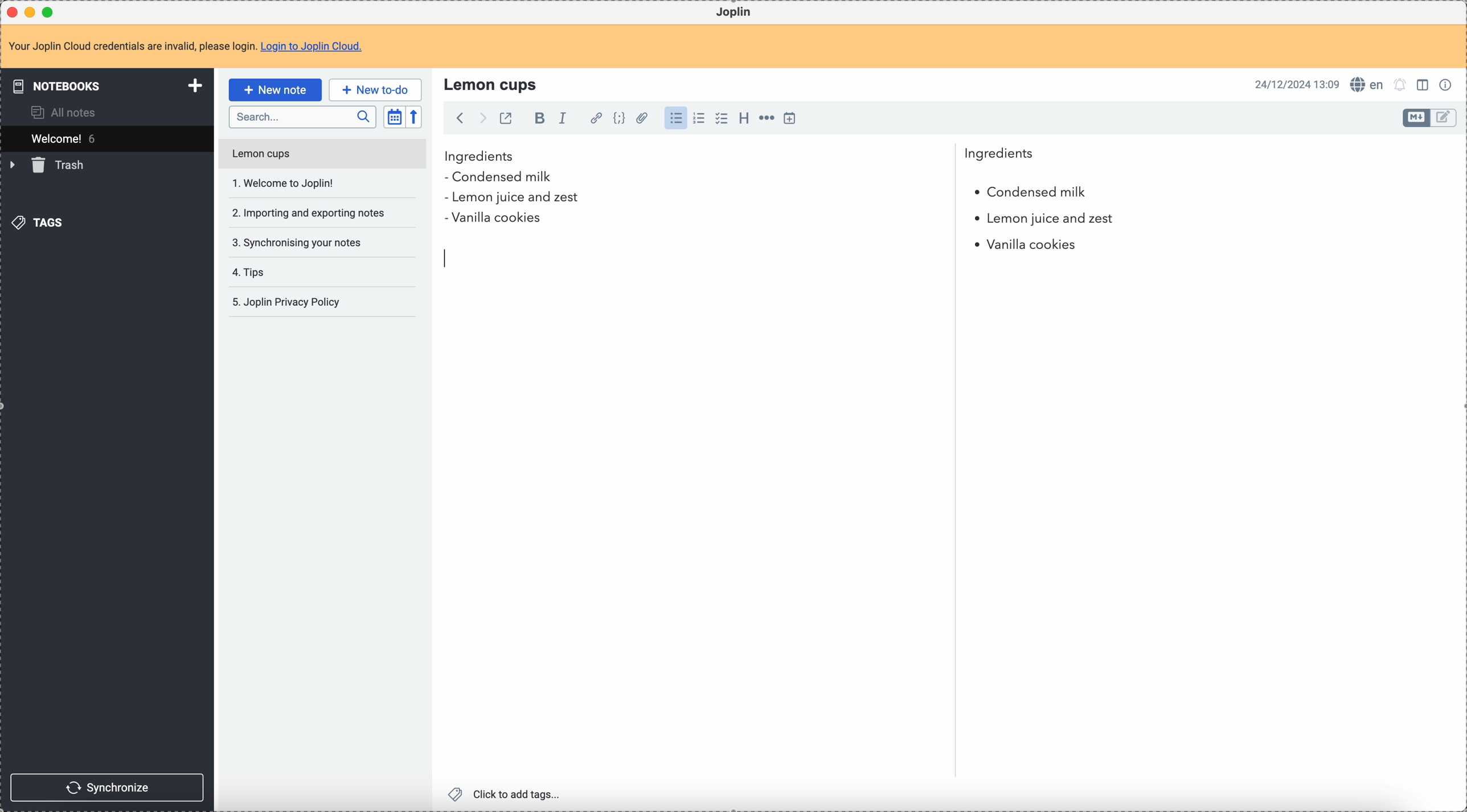 The width and height of the screenshot is (1467, 812). Describe the element at coordinates (744, 117) in the screenshot. I see `heading` at that location.